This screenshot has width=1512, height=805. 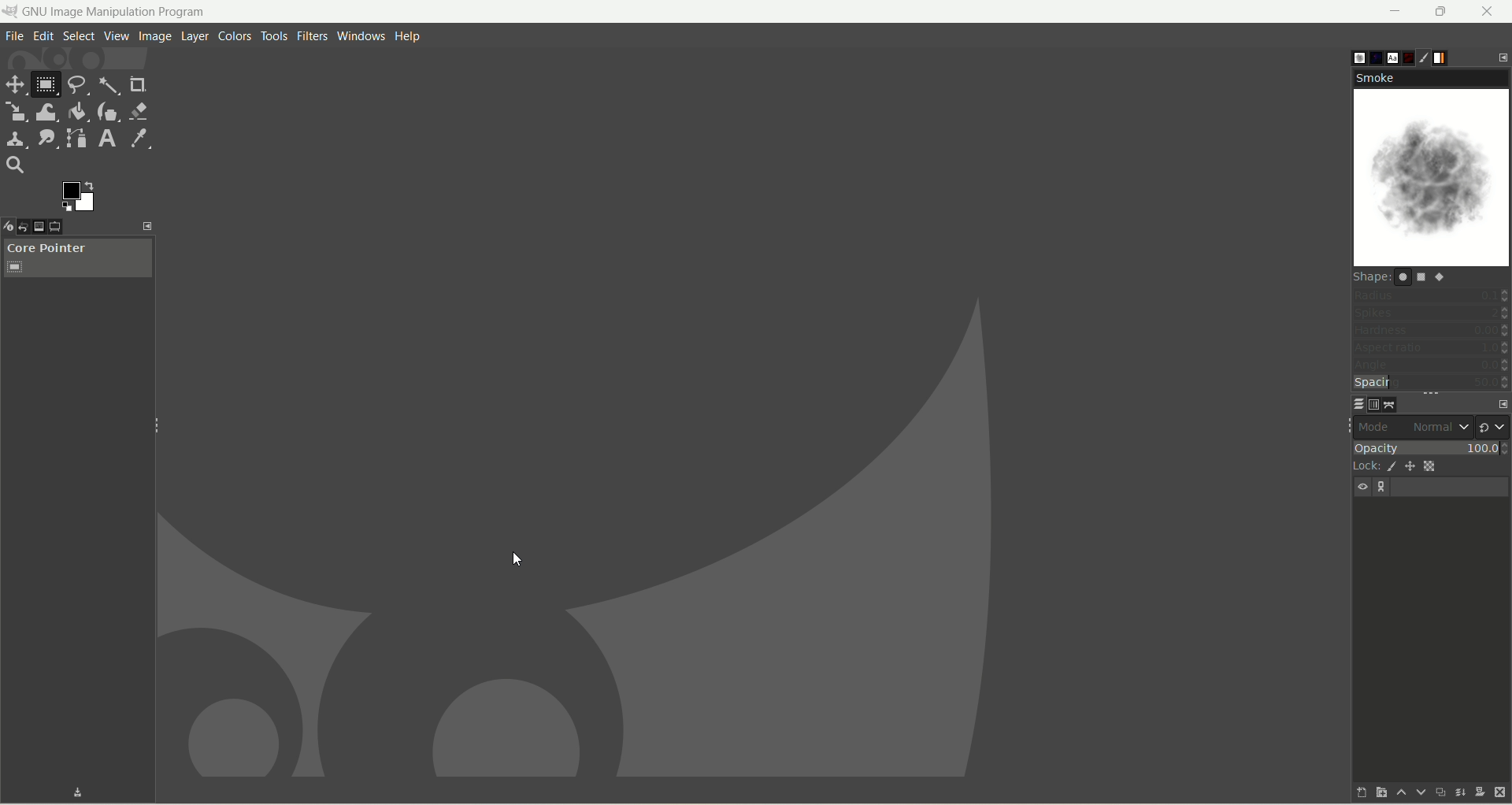 What do you see at coordinates (77, 36) in the screenshot?
I see `select` at bounding box center [77, 36].